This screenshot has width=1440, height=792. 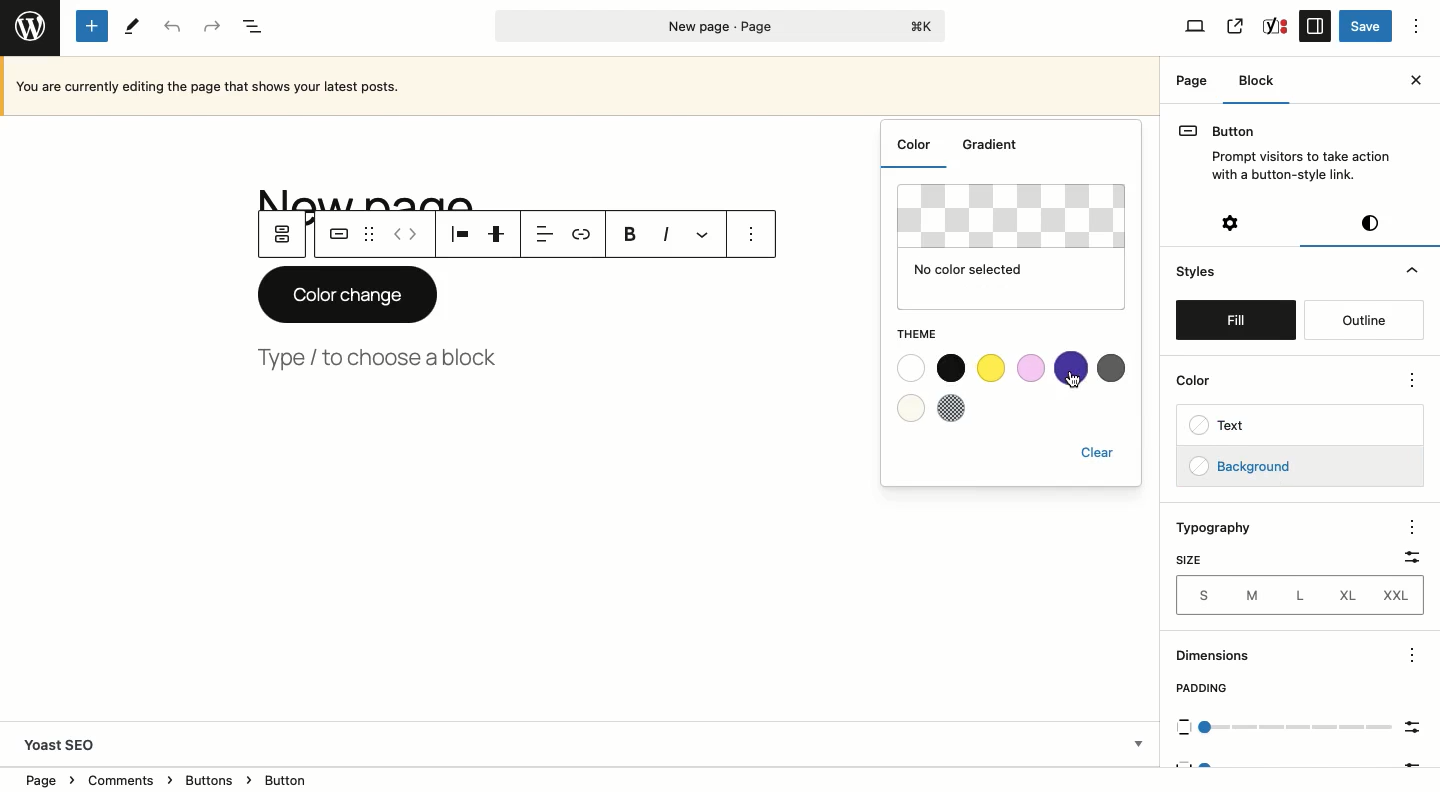 What do you see at coordinates (1247, 594) in the screenshot?
I see `M` at bounding box center [1247, 594].